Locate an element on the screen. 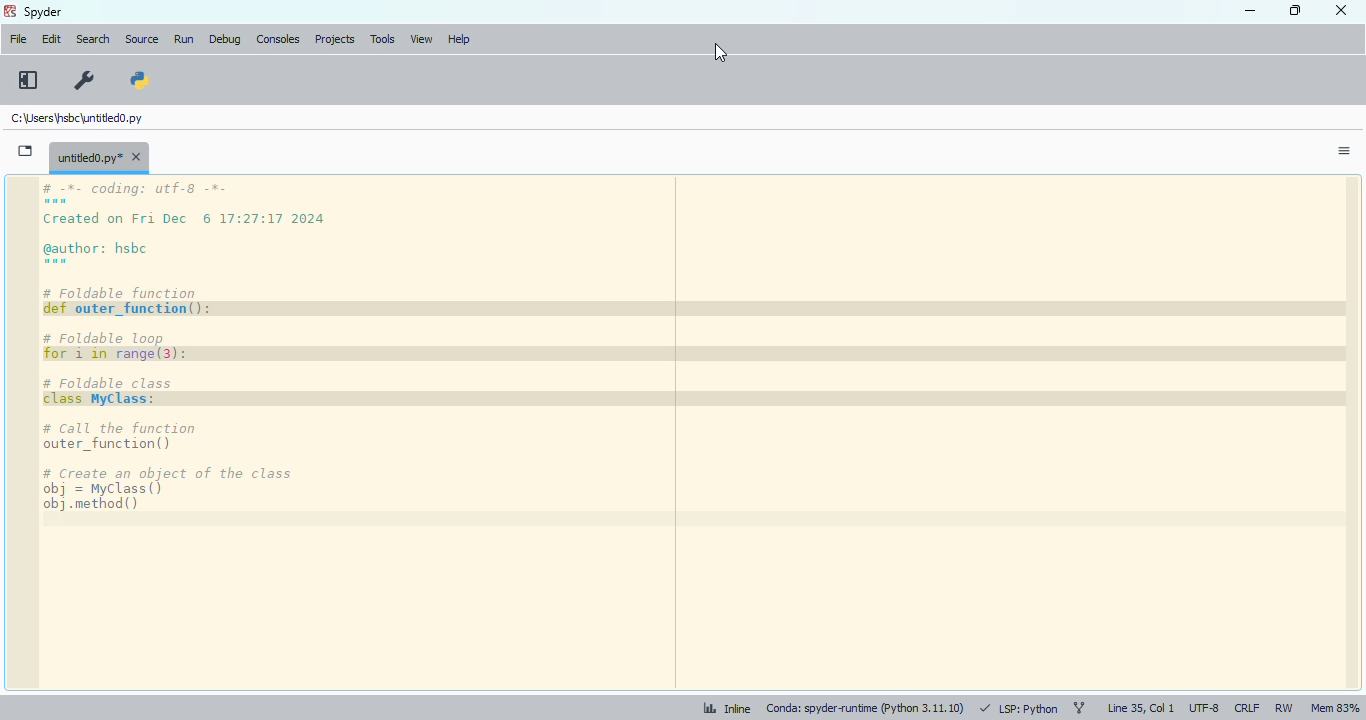 This screenshot has height=720, width=1366. maximize is located at coordinates (1295, 10).